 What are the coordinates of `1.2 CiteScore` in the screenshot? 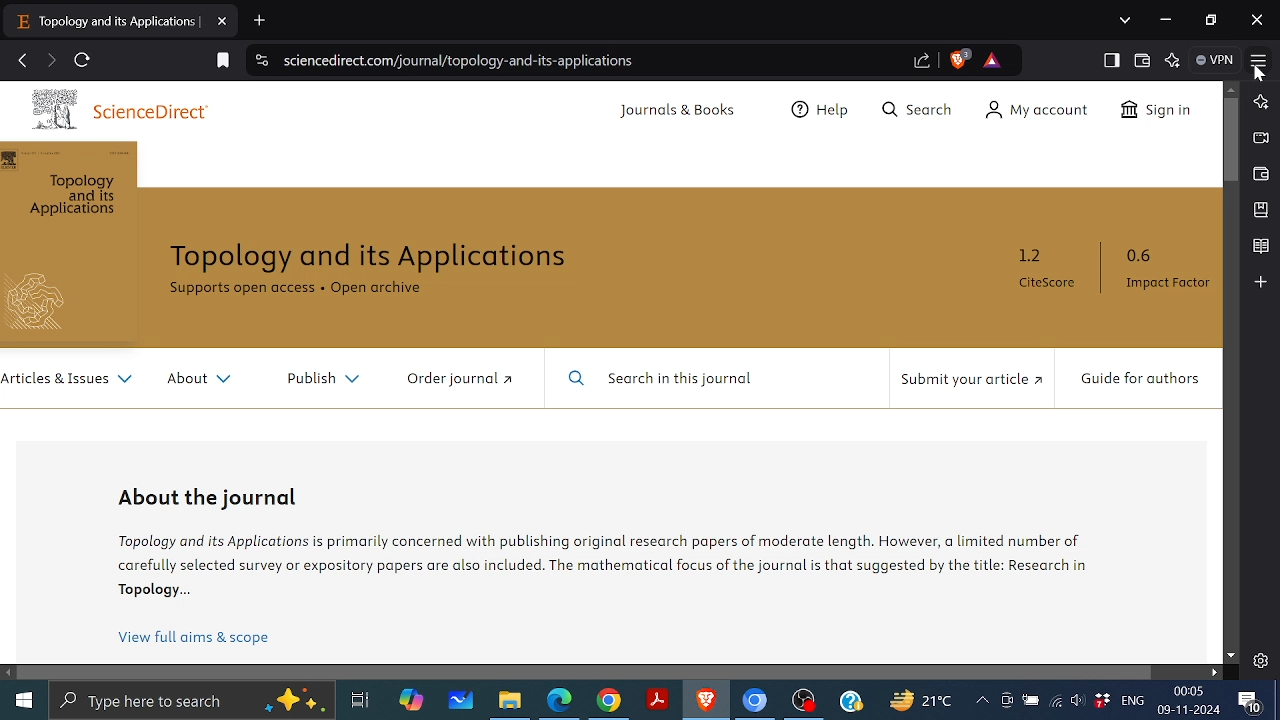 It's located at (1051, 268).